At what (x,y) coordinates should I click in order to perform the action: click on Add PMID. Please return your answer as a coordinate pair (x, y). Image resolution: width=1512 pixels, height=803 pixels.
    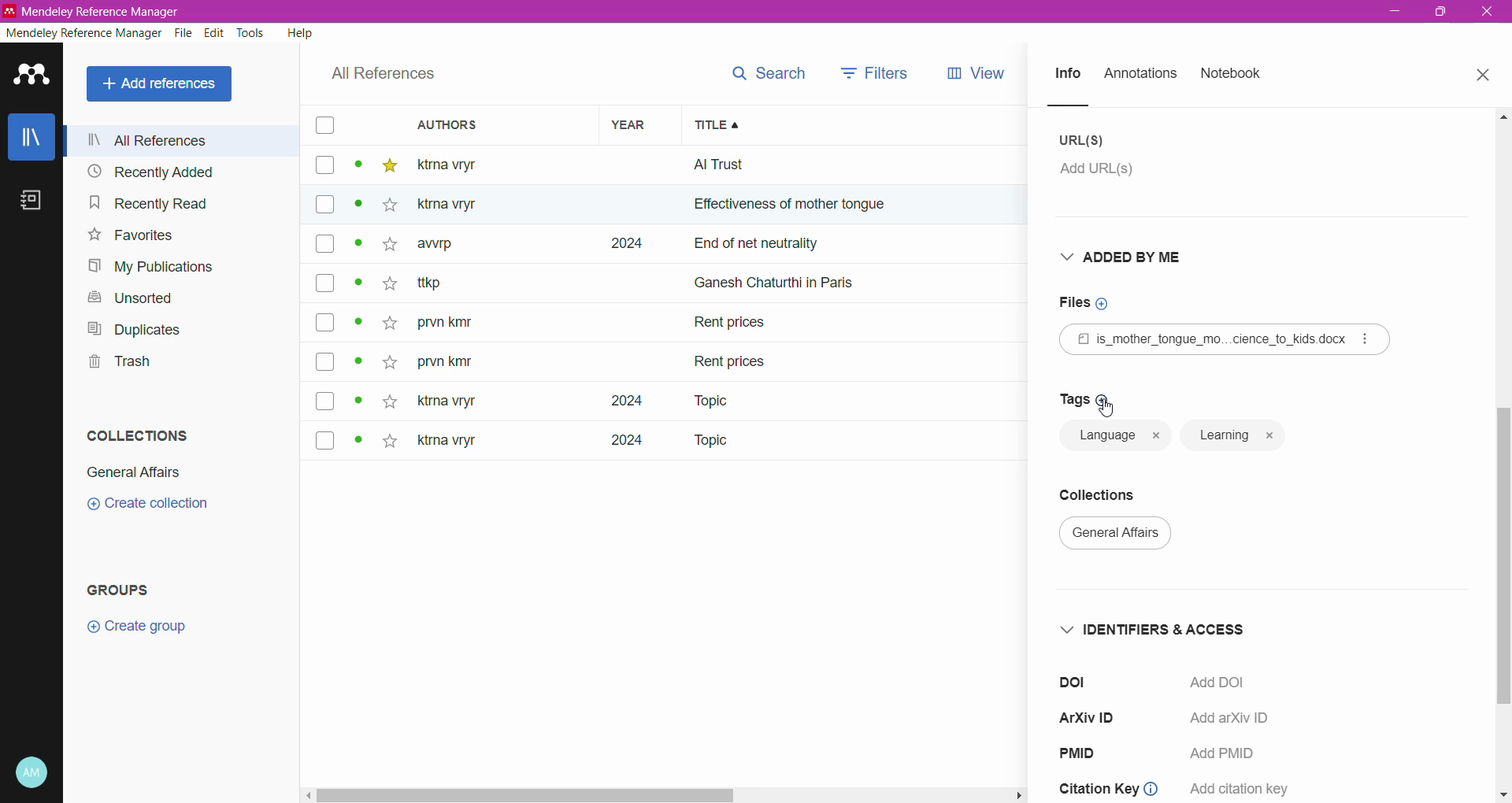
    Looking at the image, I should click on (1228, 753).